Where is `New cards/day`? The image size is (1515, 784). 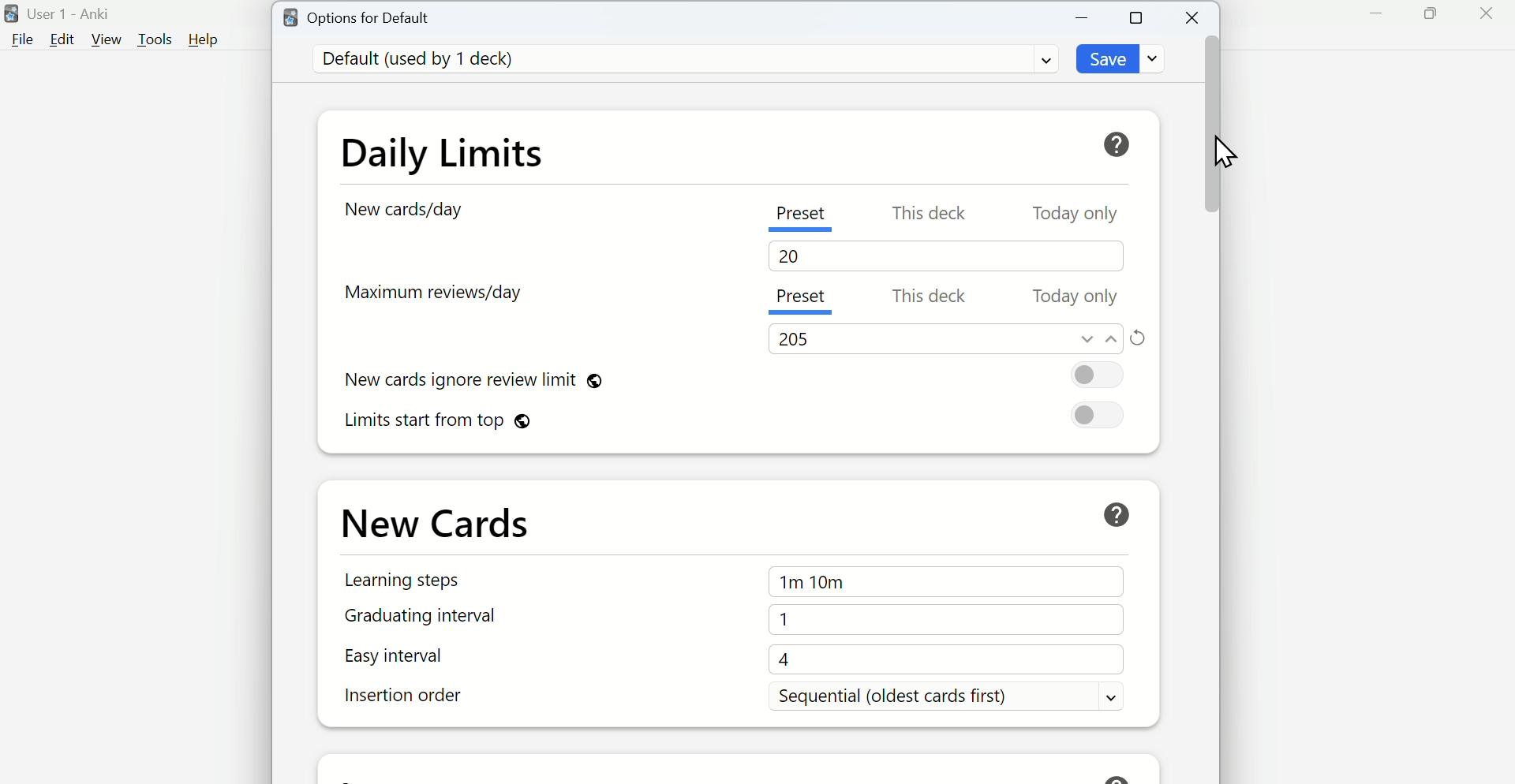 New cards/day is located at coordinates (408, 210).